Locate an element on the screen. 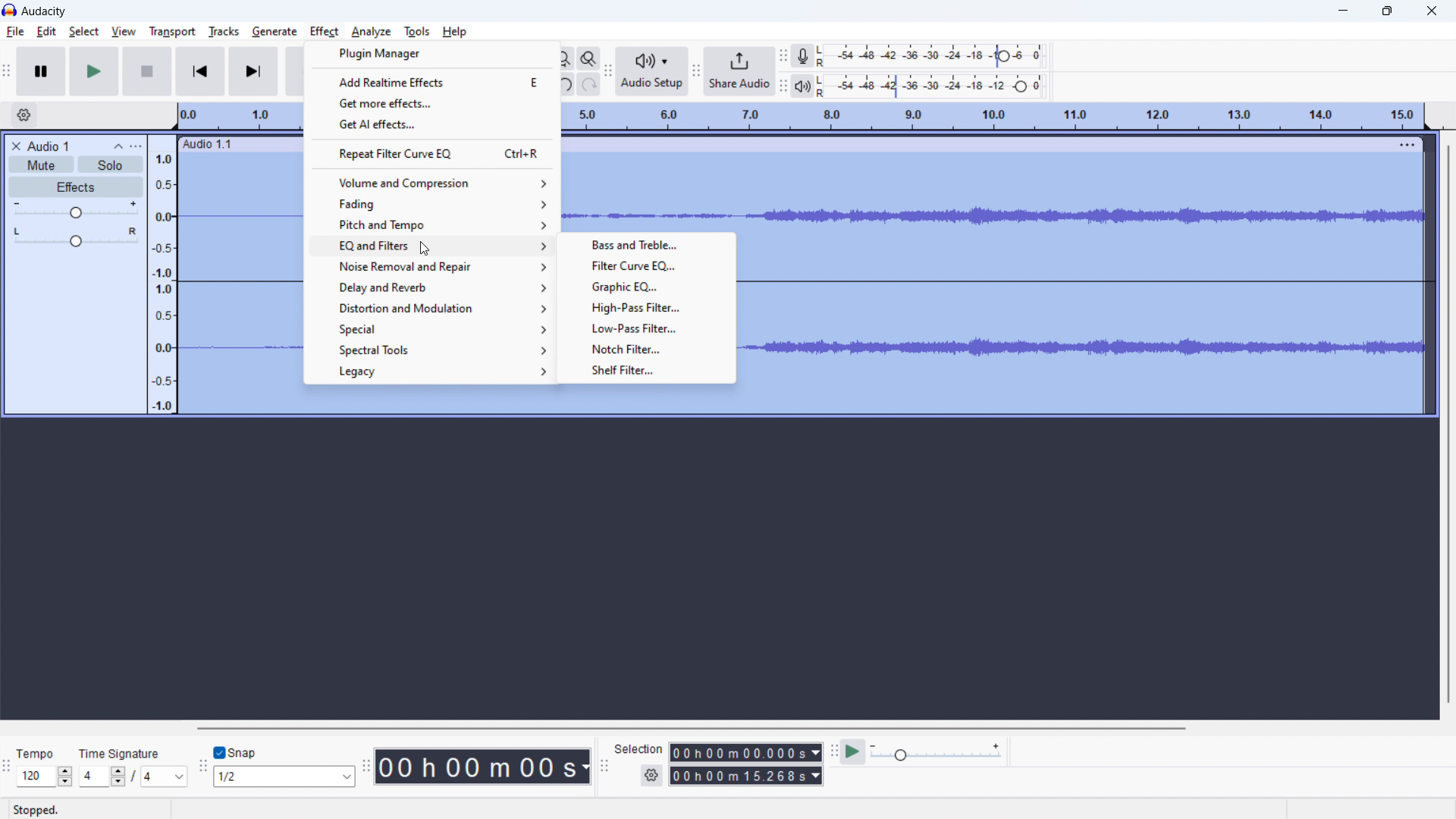  recording meter is located at coordinates (807, 55).